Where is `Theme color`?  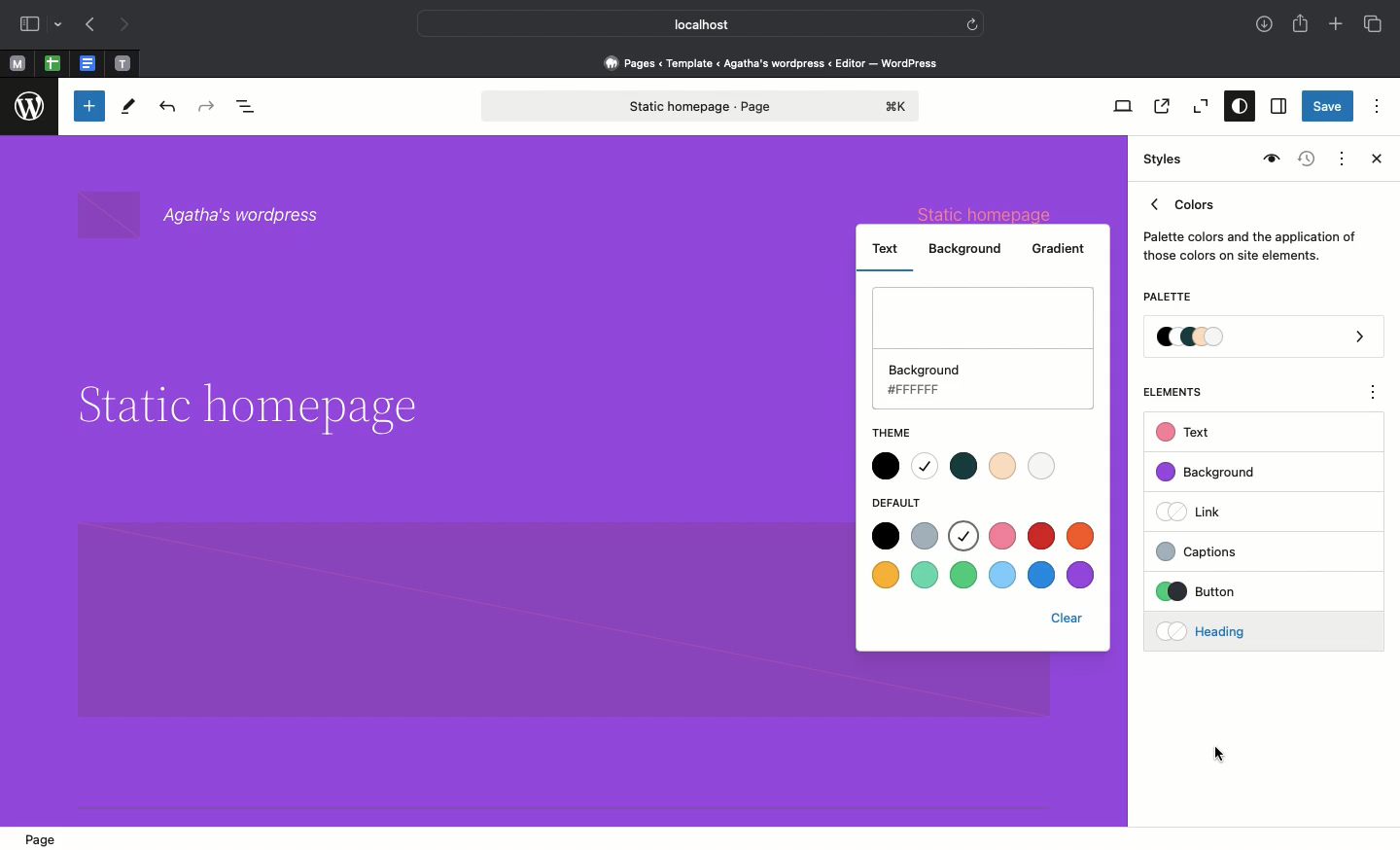 Theme color is located at coordinates (964, 464).